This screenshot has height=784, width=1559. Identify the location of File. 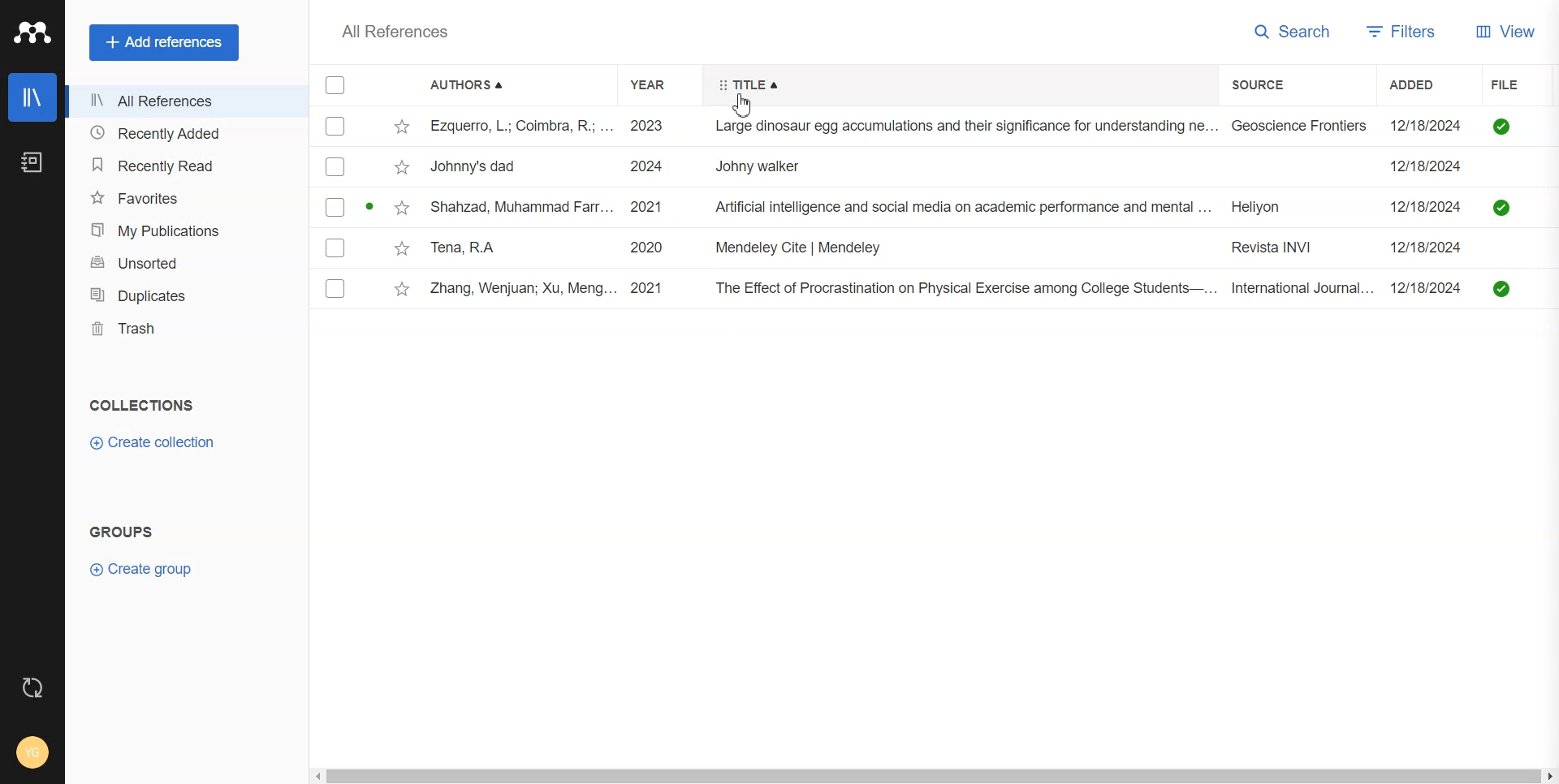
(992, 207).